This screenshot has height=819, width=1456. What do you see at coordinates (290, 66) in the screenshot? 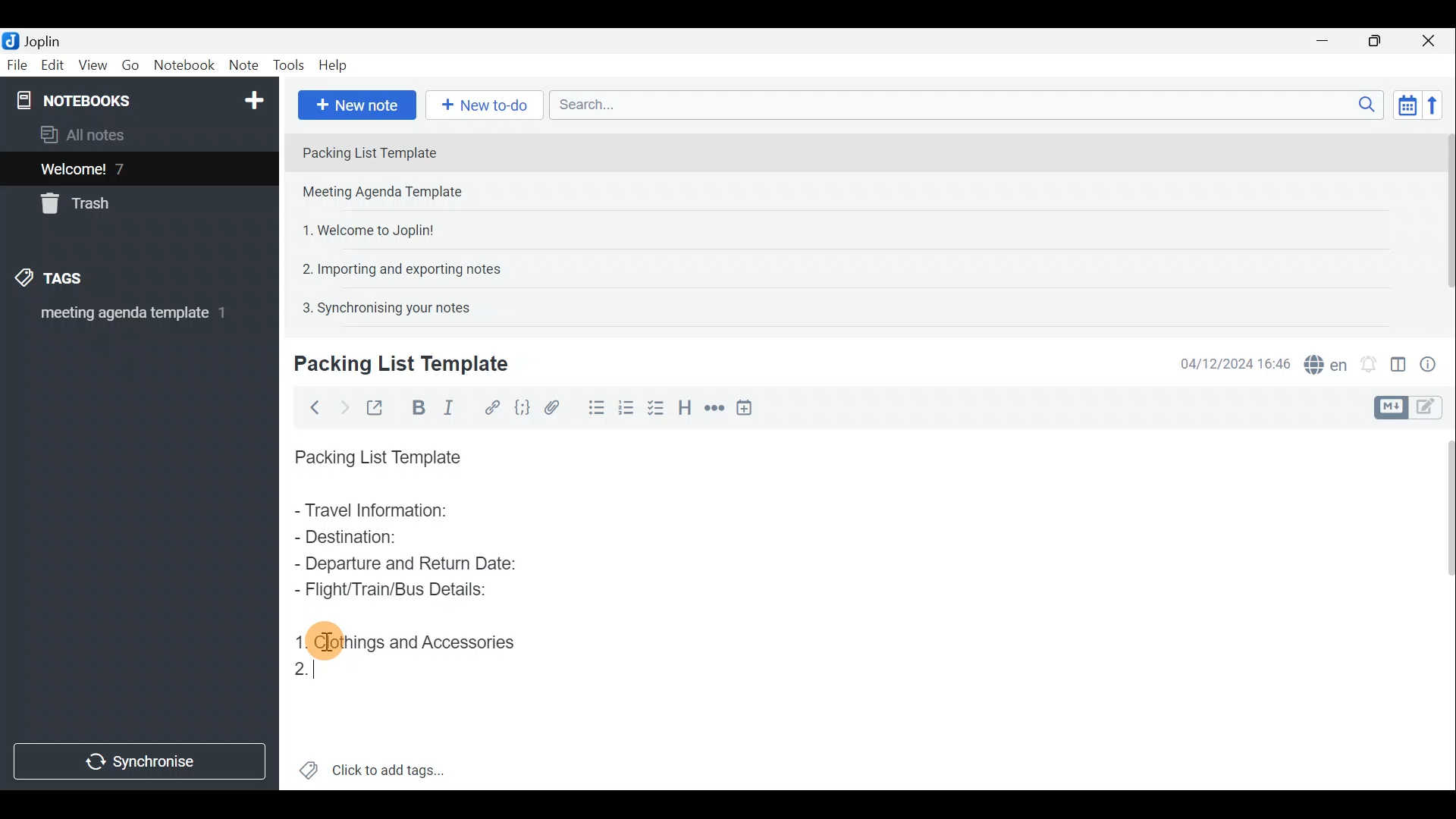
I see `Tools` at bounding box center [290, 66].